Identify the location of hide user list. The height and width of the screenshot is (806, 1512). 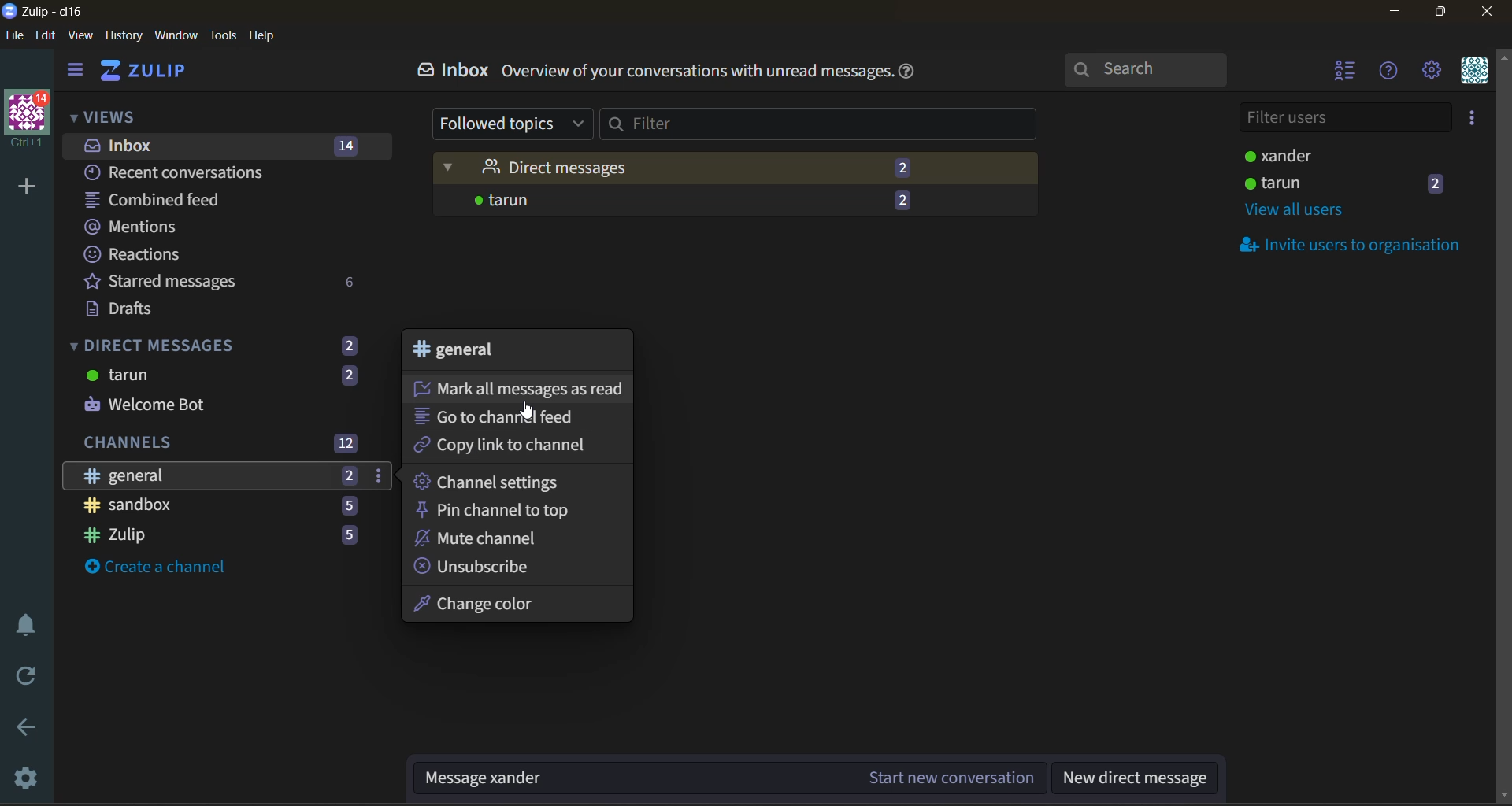
(1341, 72).